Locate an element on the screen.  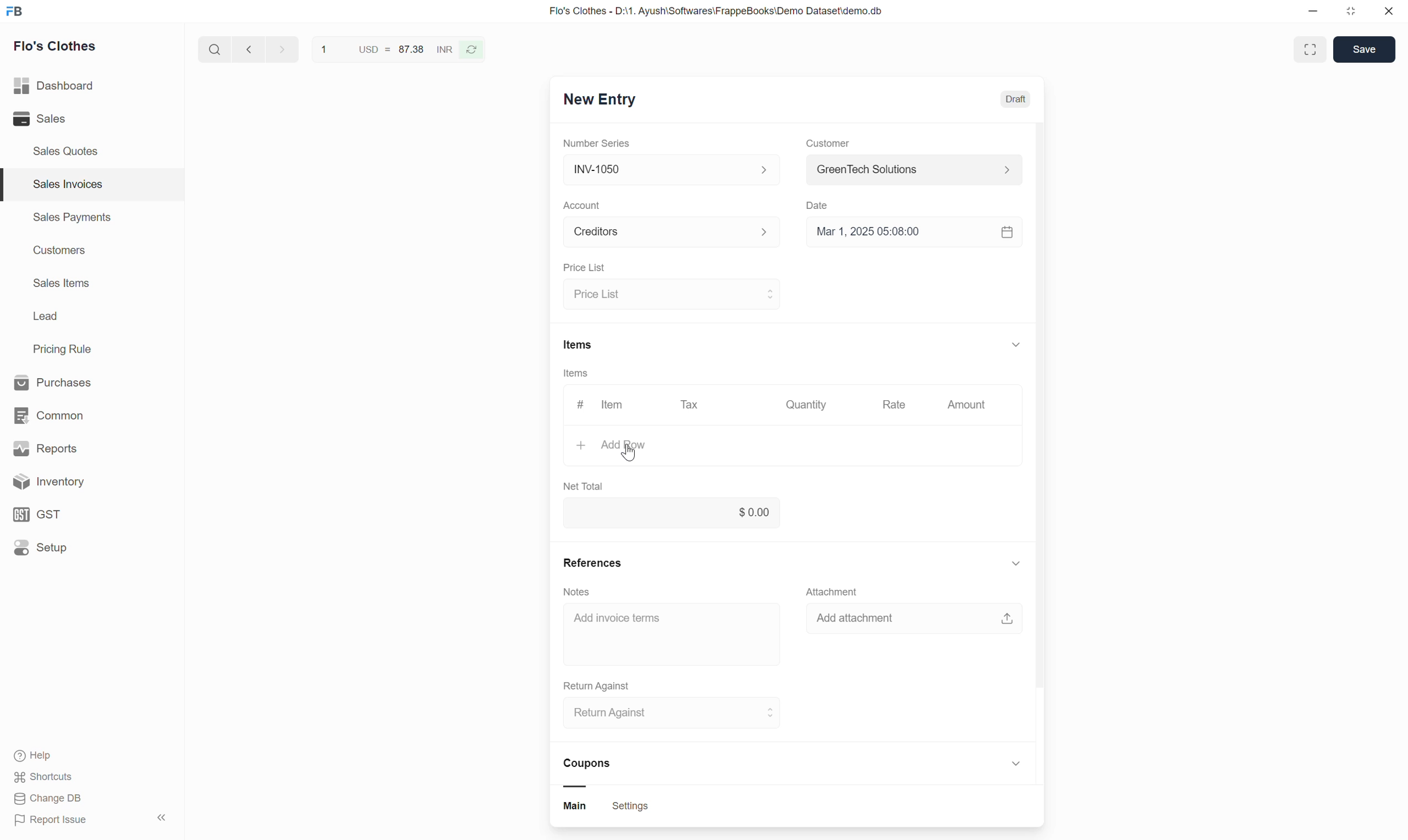
Sales Items is located at coordinates (62, 284).